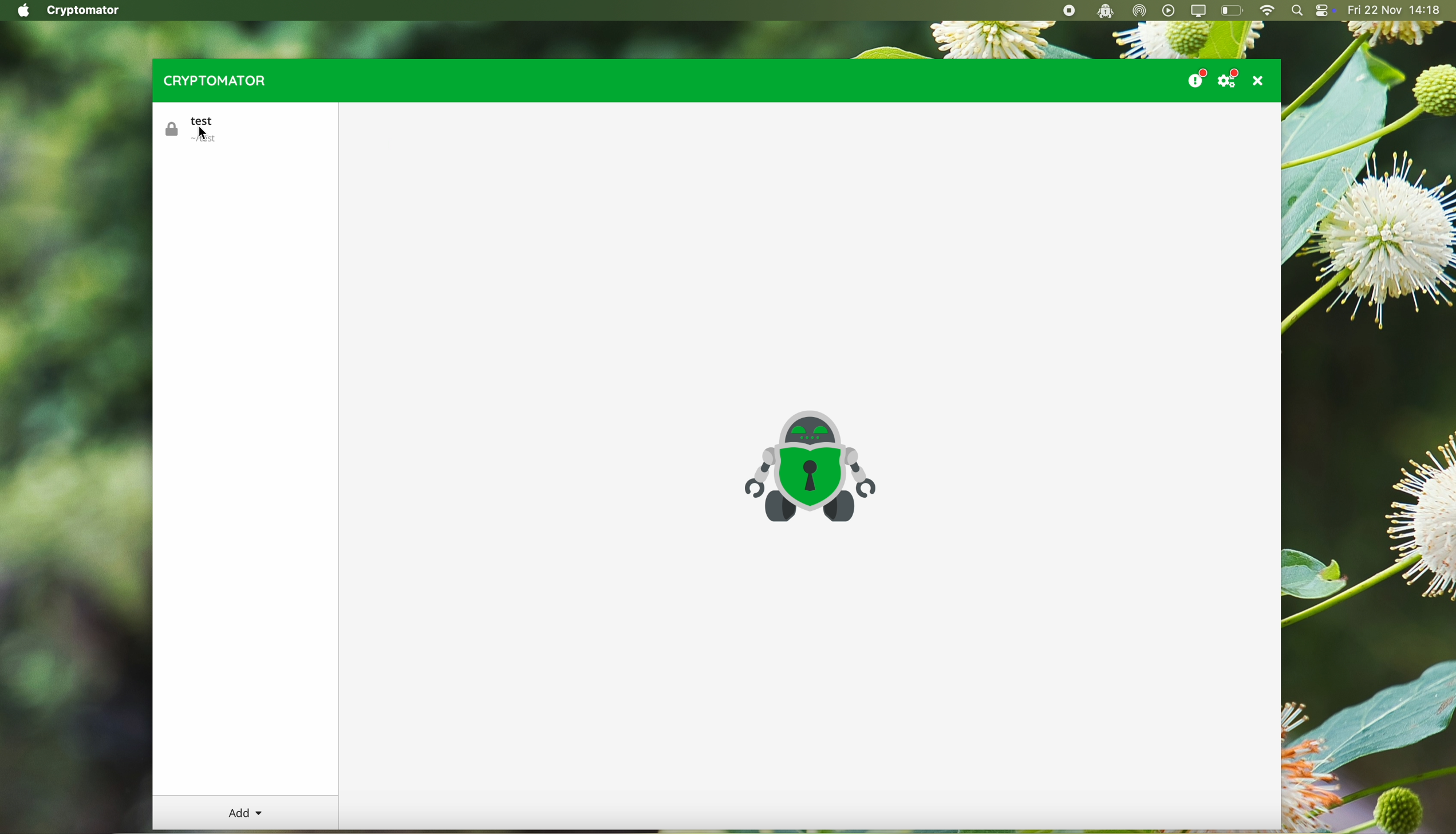 This screenshot has width=1456, height=834. What do you see at coordinates (1297, 11) in the screenshot?
I see `spotlight search` at bounding box center [1297, 11].